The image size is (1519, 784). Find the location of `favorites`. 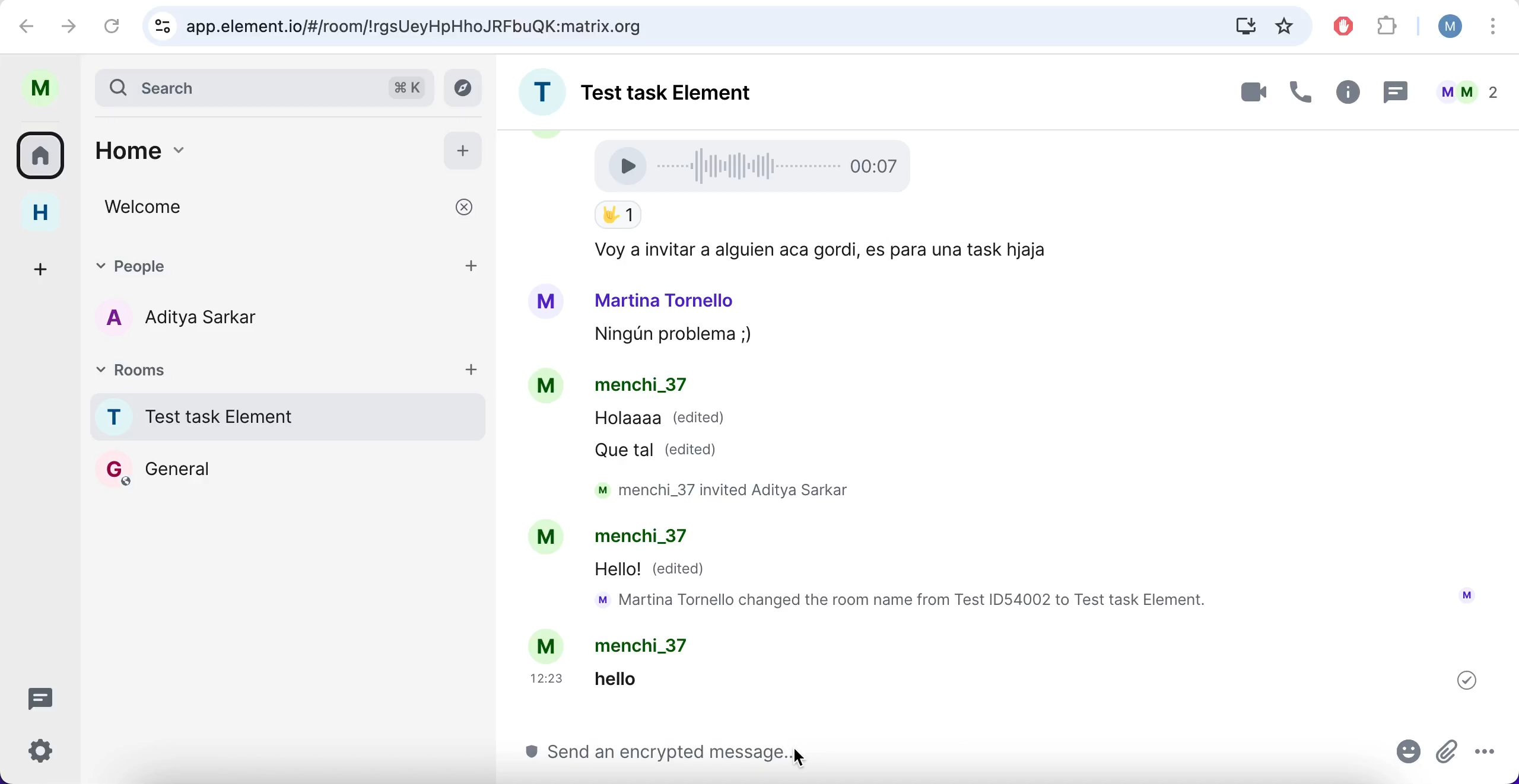

favorites is located at coordinates (1287, 26).